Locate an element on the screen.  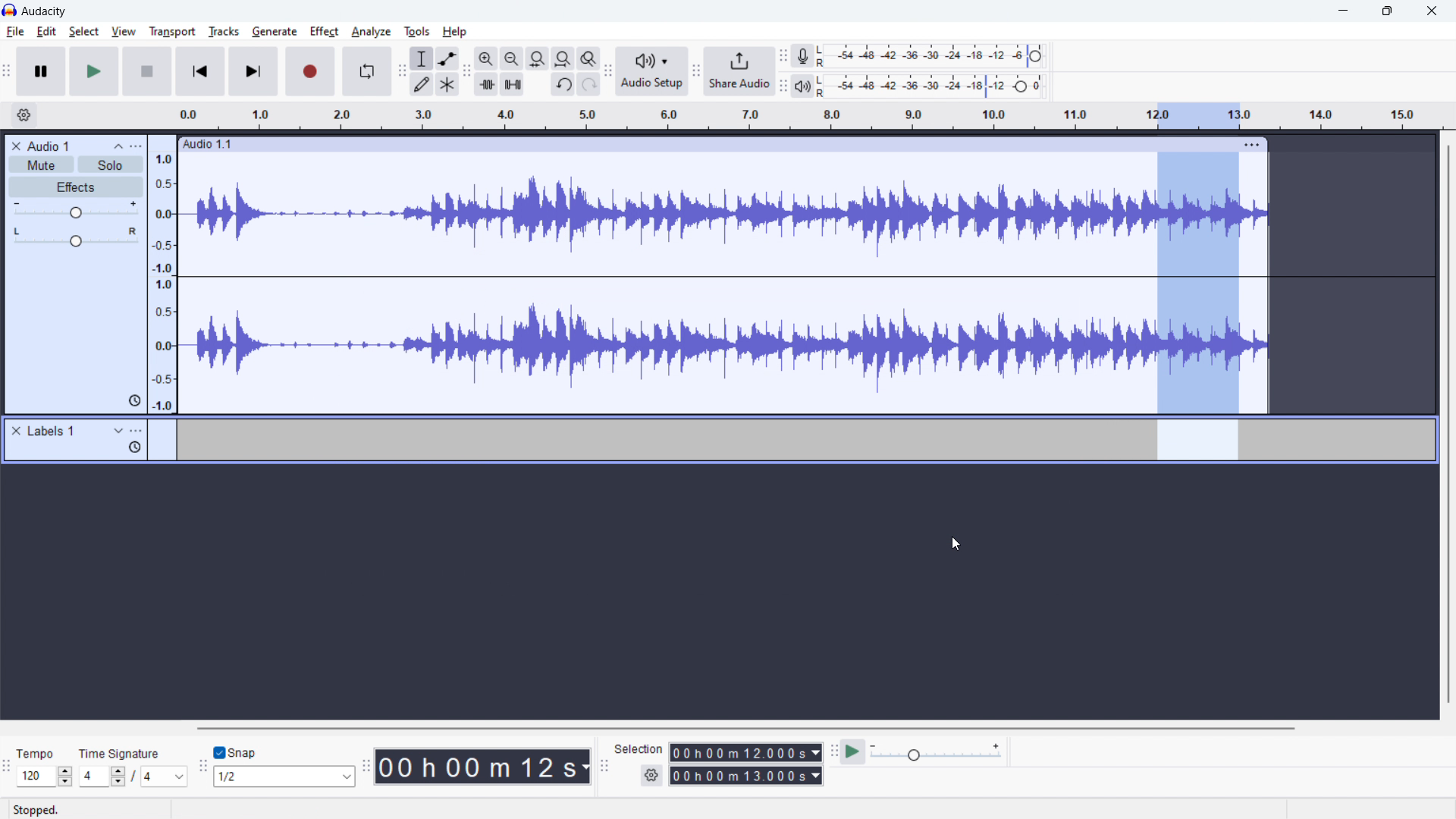
audio waveform is located at coordinates (724, 281).